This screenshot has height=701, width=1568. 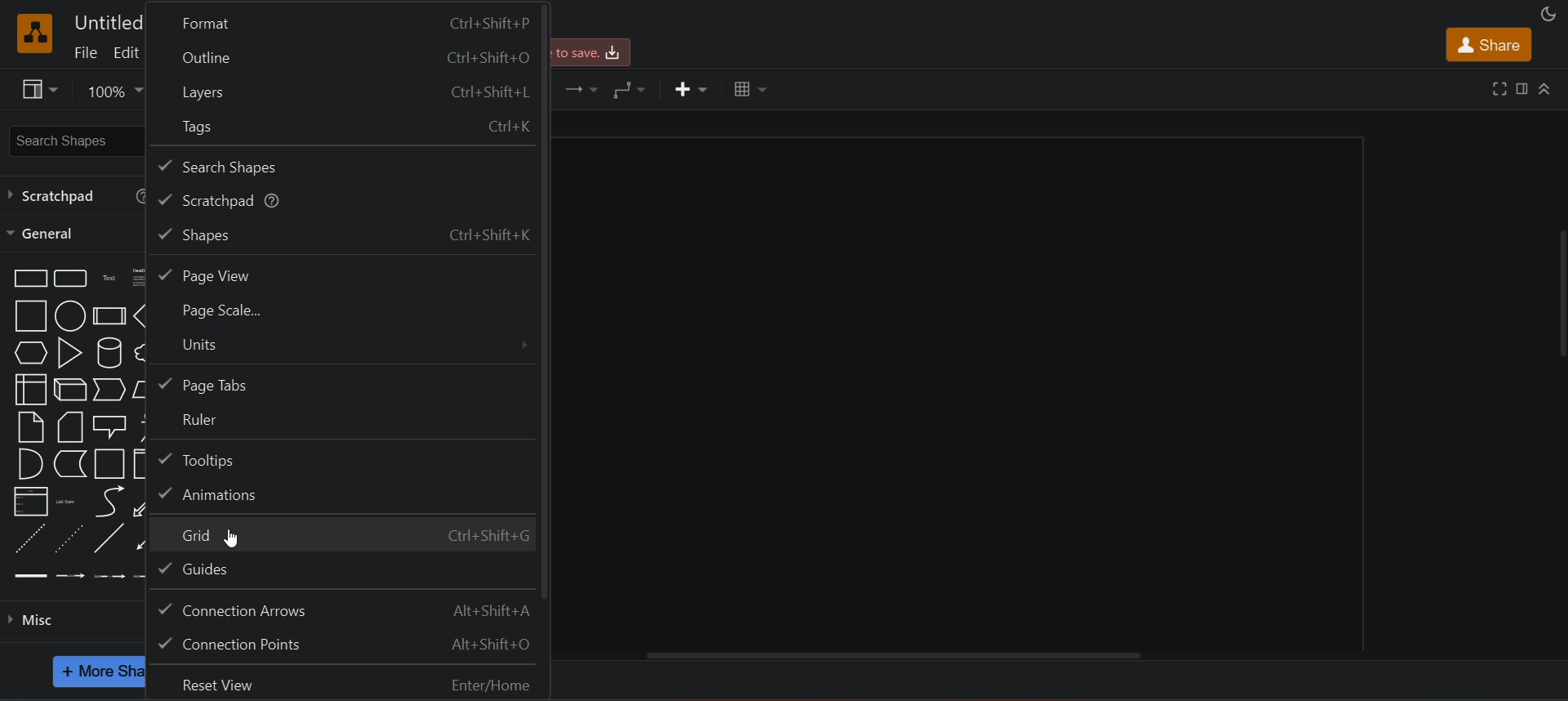 I want to click on square, so click(x=30, y=316).